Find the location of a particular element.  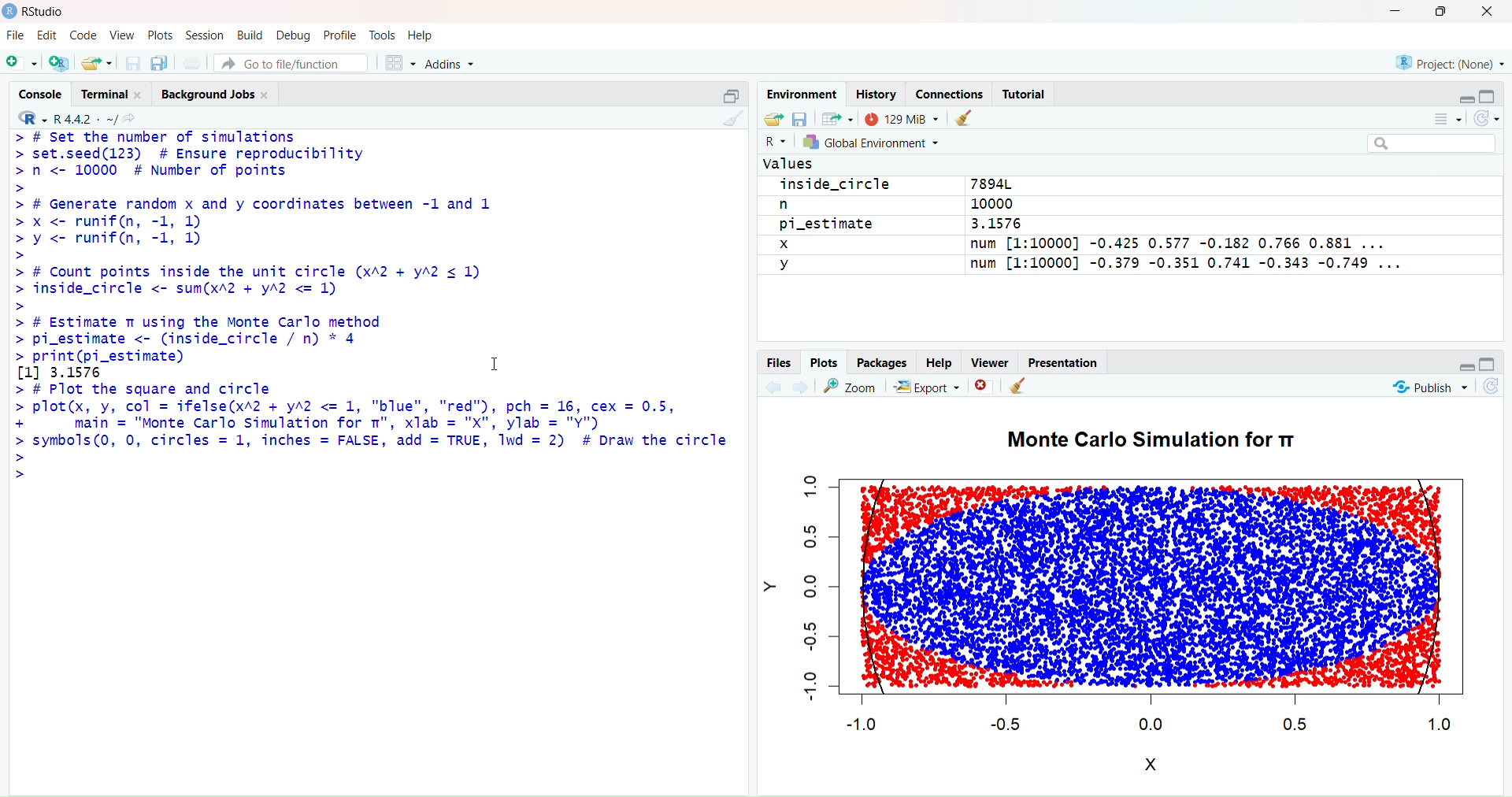

Terminal is located at coordinates (113, 94).